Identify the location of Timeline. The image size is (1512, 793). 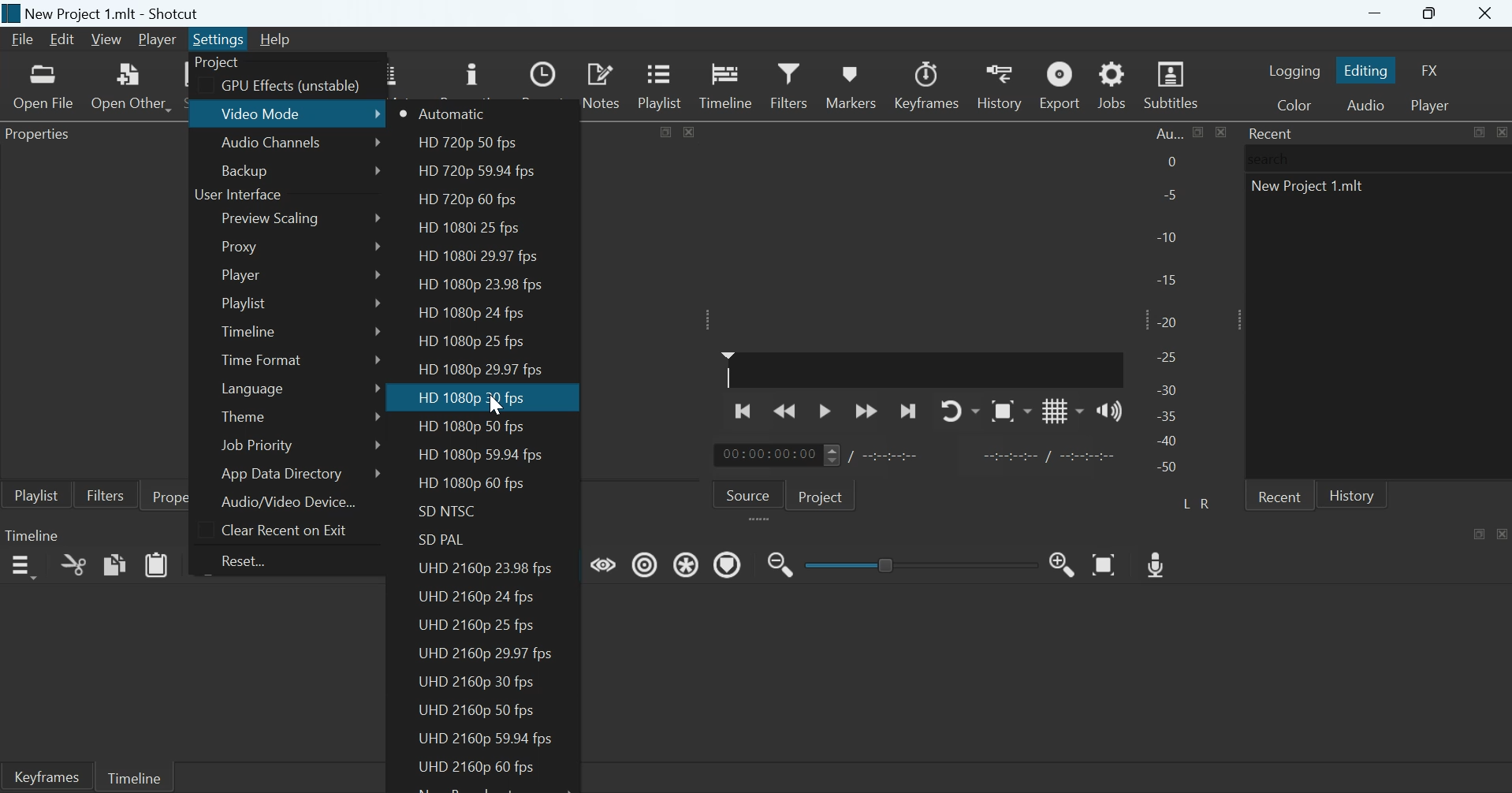
(251, 329).